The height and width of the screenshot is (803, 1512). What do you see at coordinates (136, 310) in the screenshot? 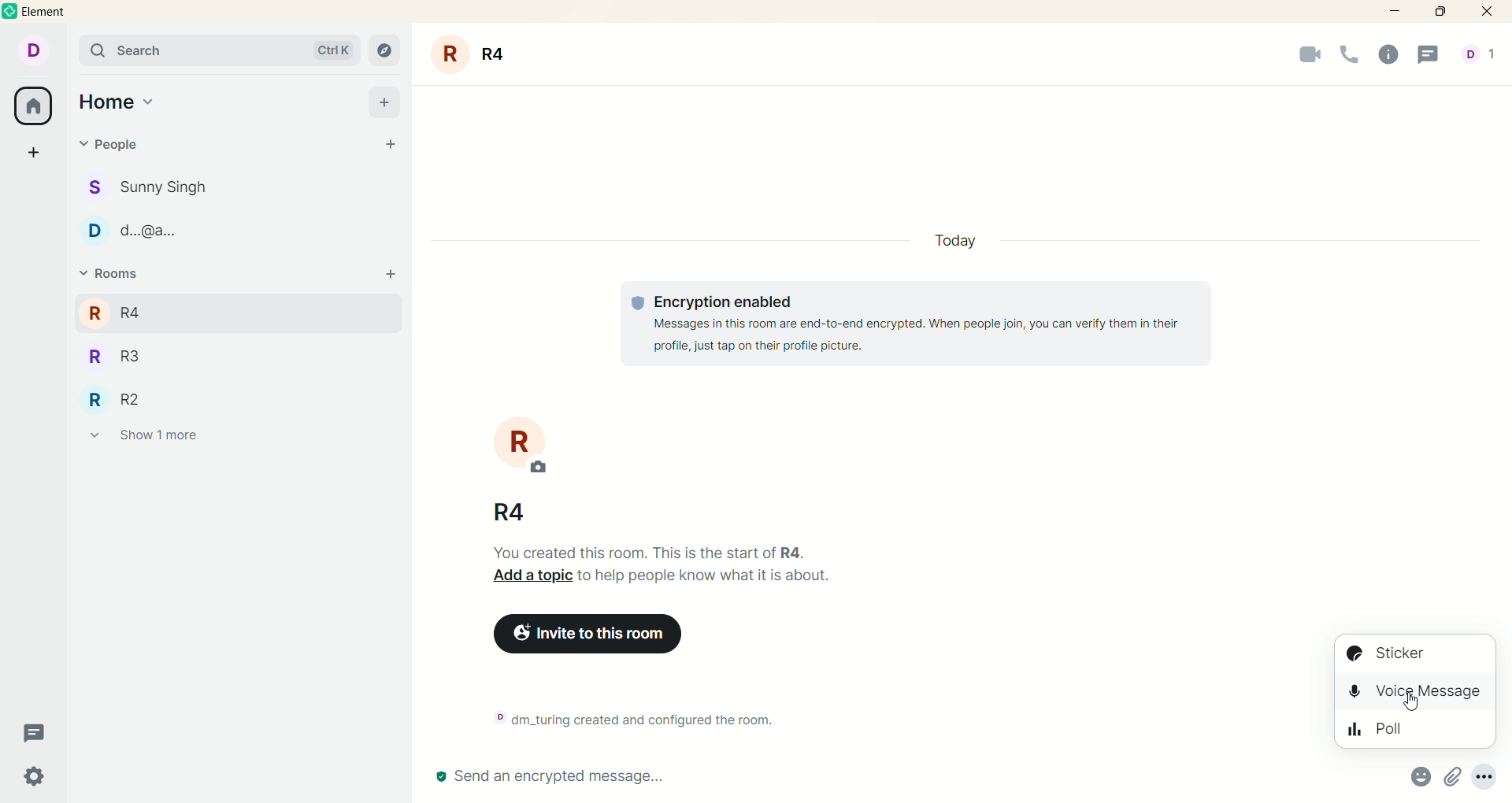
I see `R4` at bounding box center [136, 310].